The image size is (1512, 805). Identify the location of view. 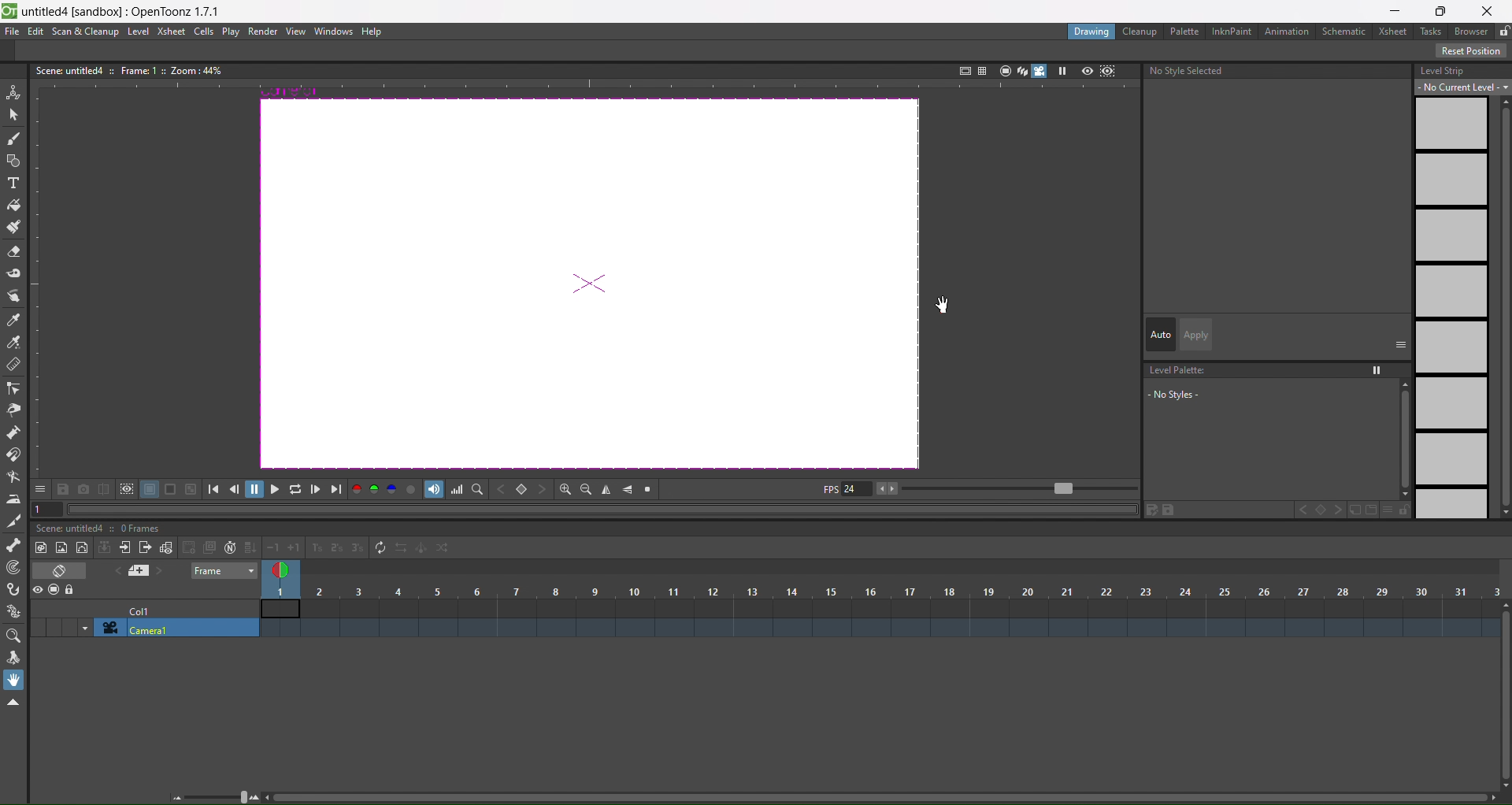
(295, 32).